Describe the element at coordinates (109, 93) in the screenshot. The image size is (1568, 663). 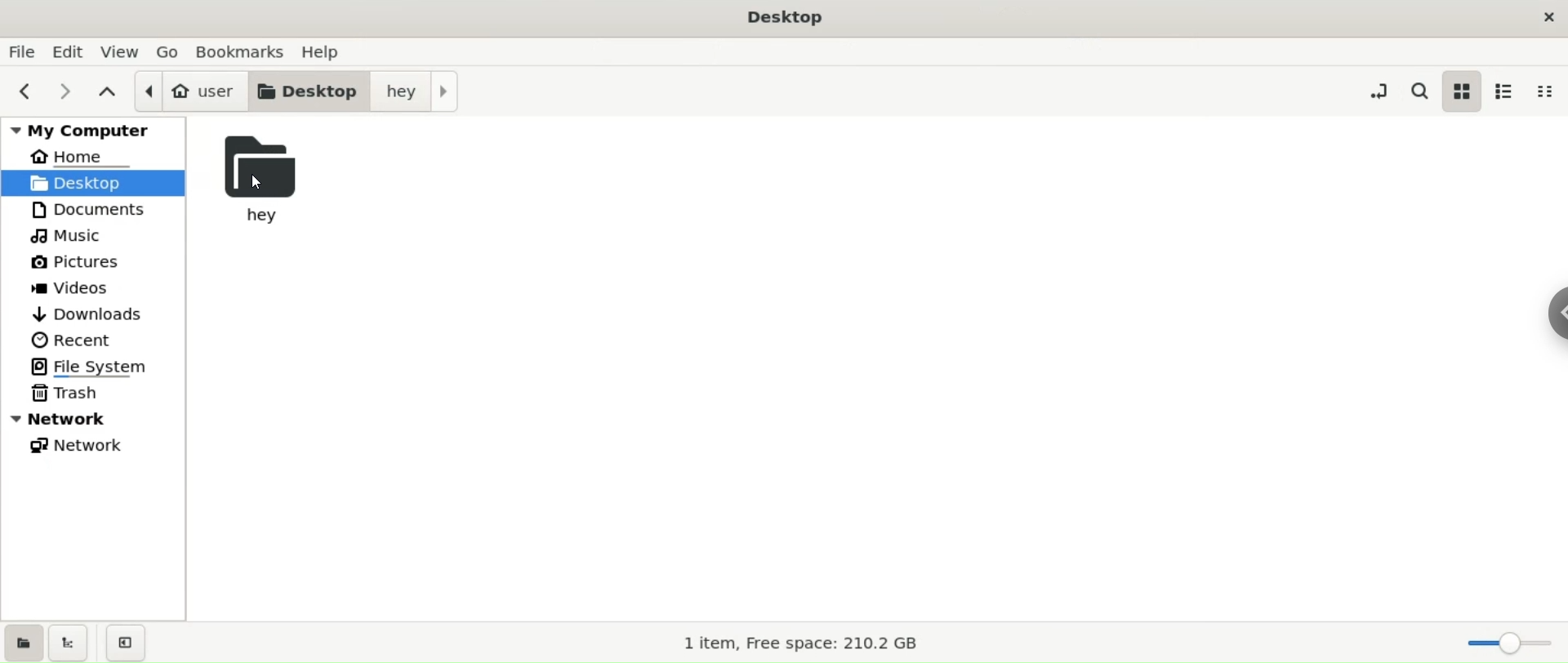
I see `parent folders` at that location.